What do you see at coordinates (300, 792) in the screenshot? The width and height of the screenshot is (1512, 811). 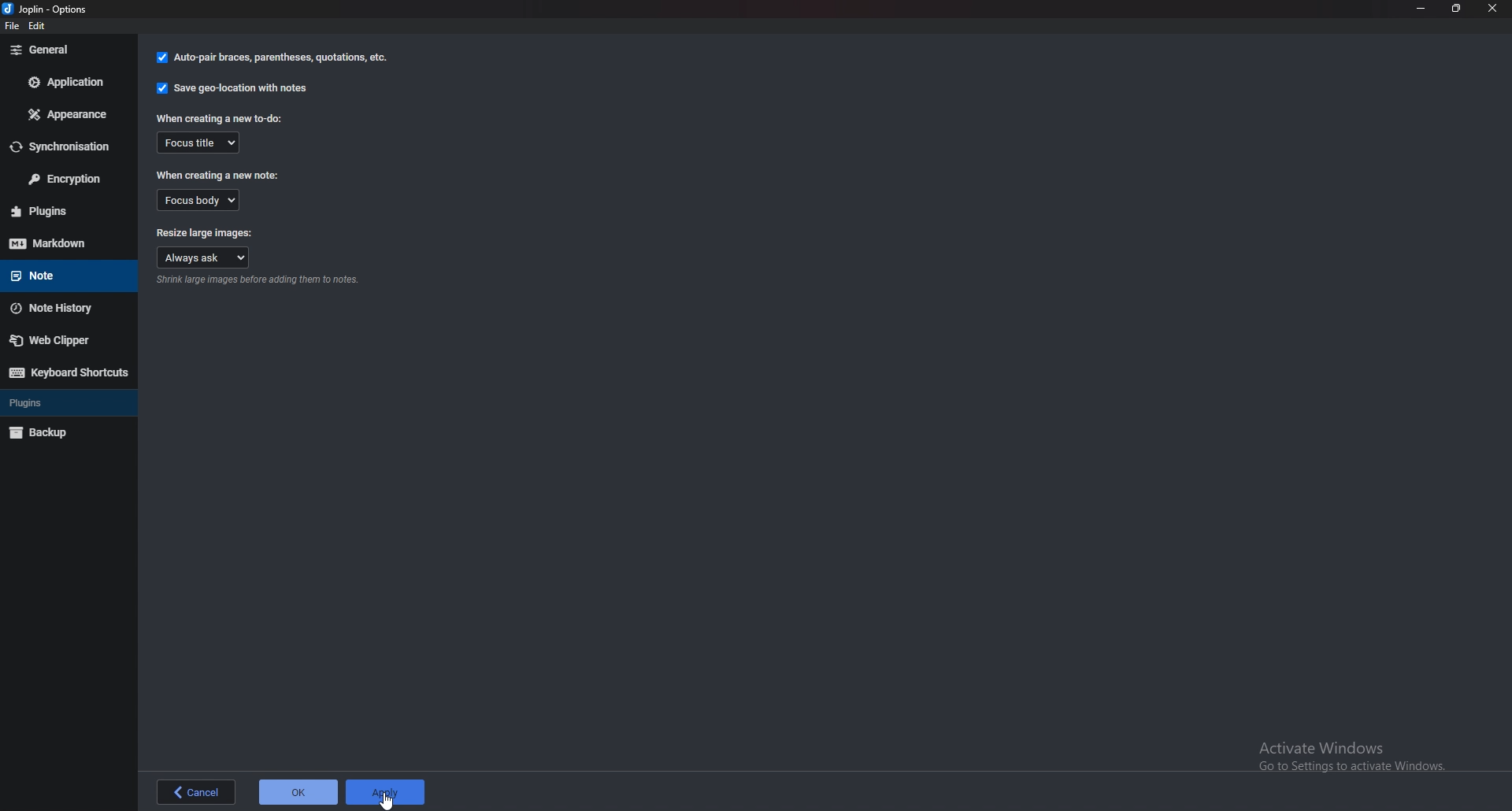 I see `ok` at bounding box center [300, 792].